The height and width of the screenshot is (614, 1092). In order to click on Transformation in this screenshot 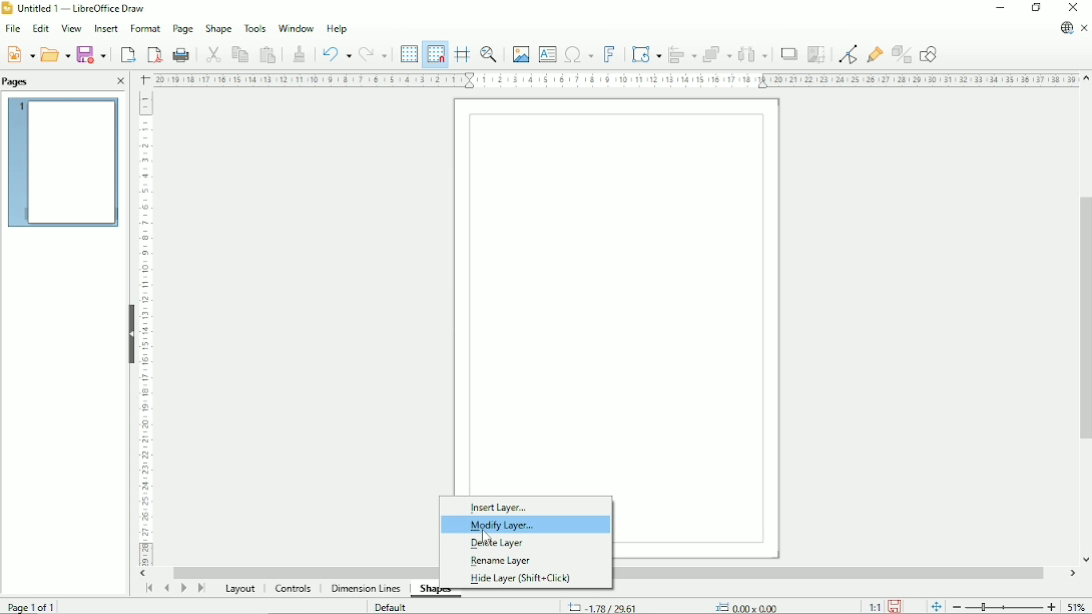, I will do `click(646, 53)`.